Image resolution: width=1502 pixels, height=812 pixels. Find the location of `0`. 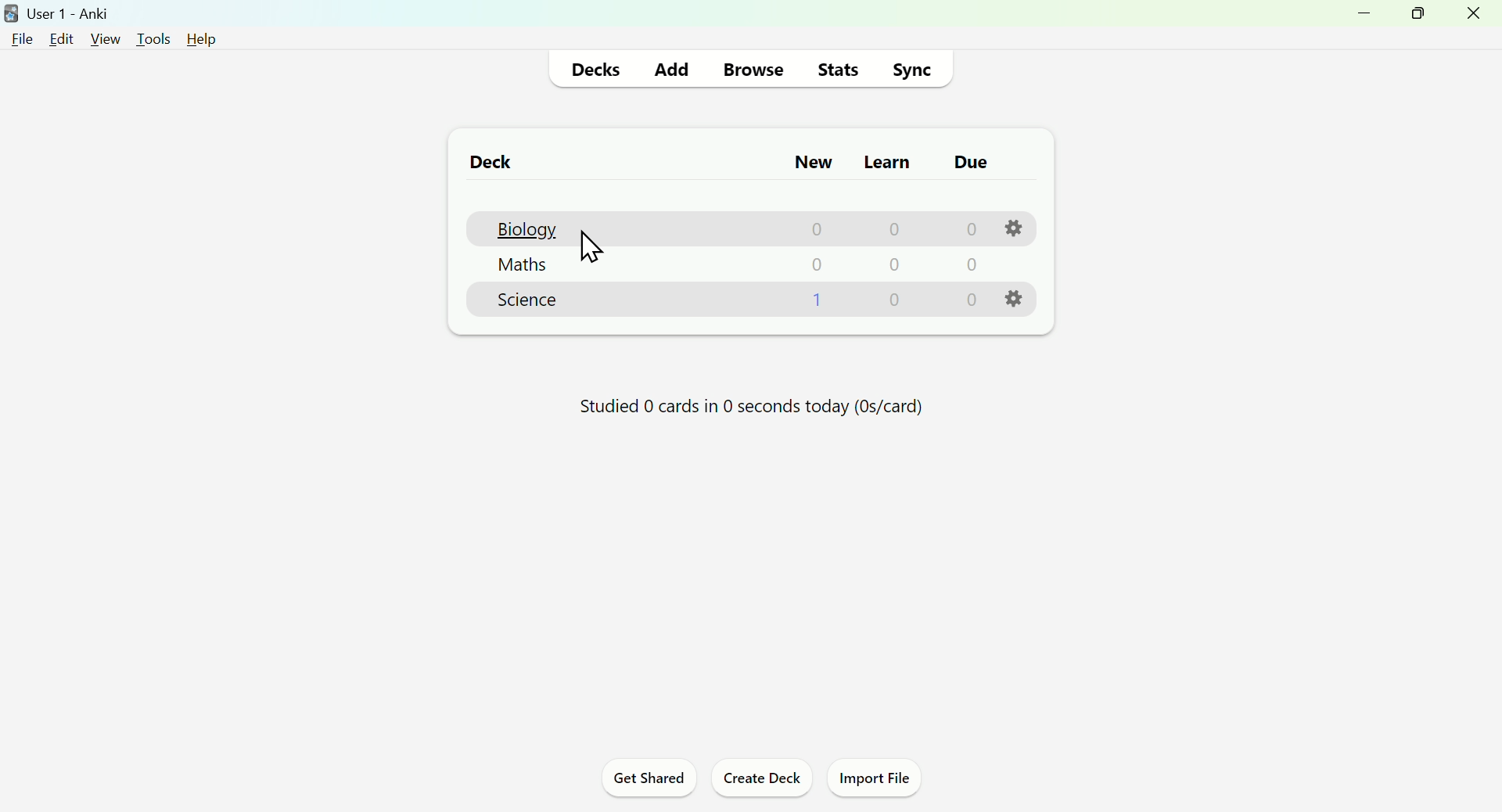

0 is located at coordinates (810, 230).